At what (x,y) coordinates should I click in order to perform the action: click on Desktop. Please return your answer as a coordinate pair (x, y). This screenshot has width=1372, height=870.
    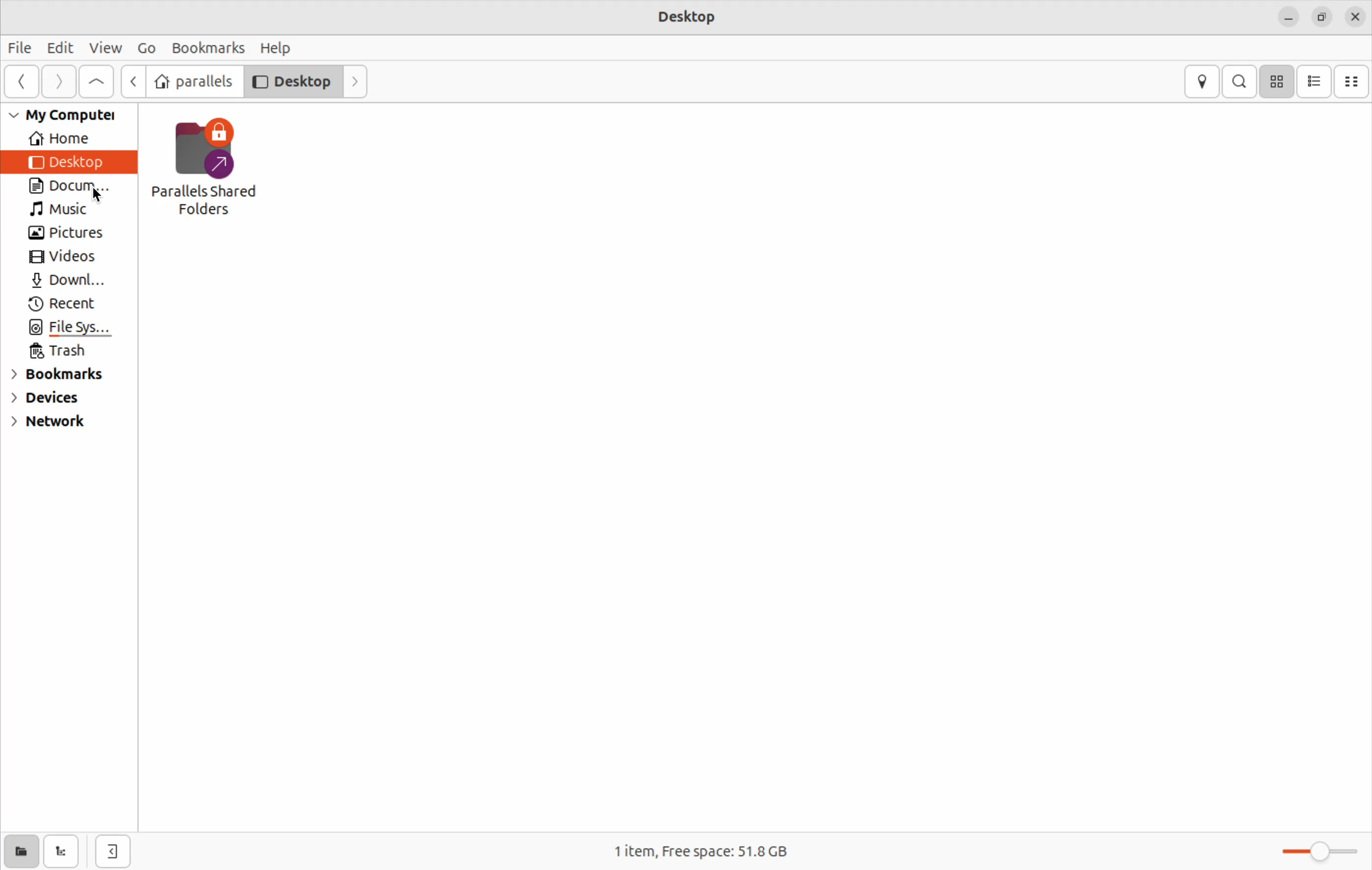
    Looking at the image, I should click on (692, 18).